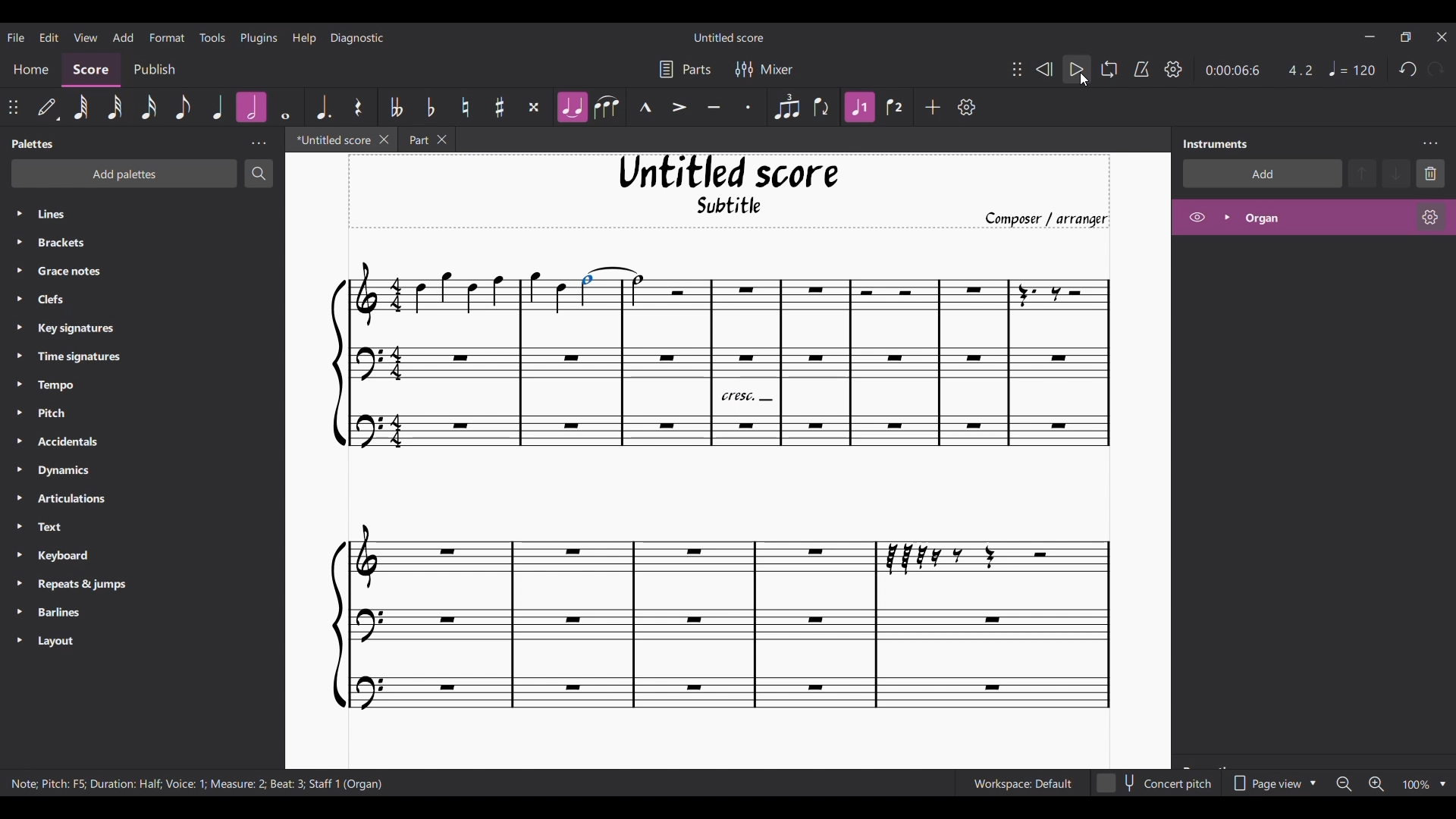 Image resolution: width=1456 pixels, height=819 pixels. I want to click on Tie, so click(572, 107).